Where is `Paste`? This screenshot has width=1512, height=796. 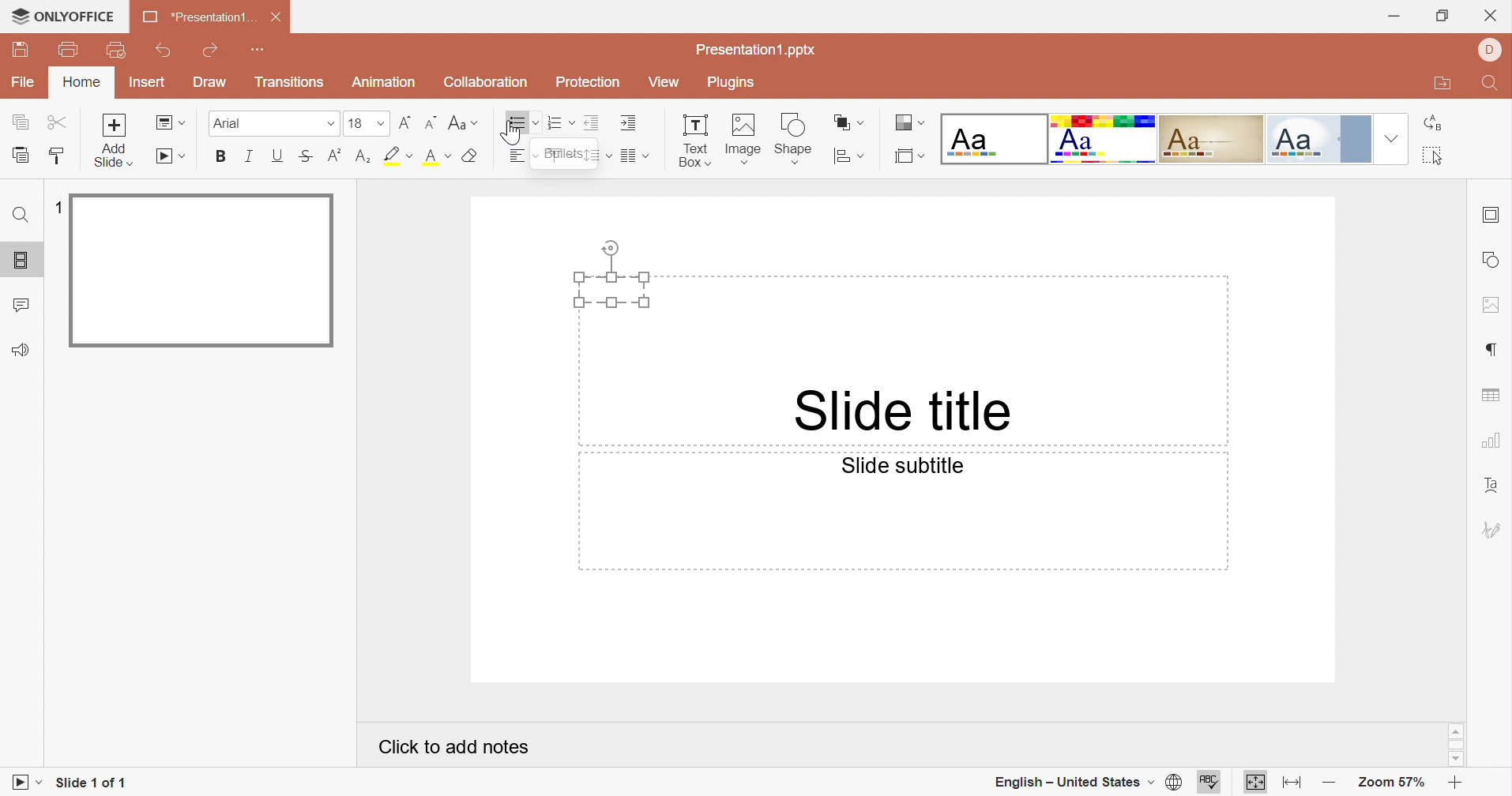 Paste is located at coordinates (21, 157).